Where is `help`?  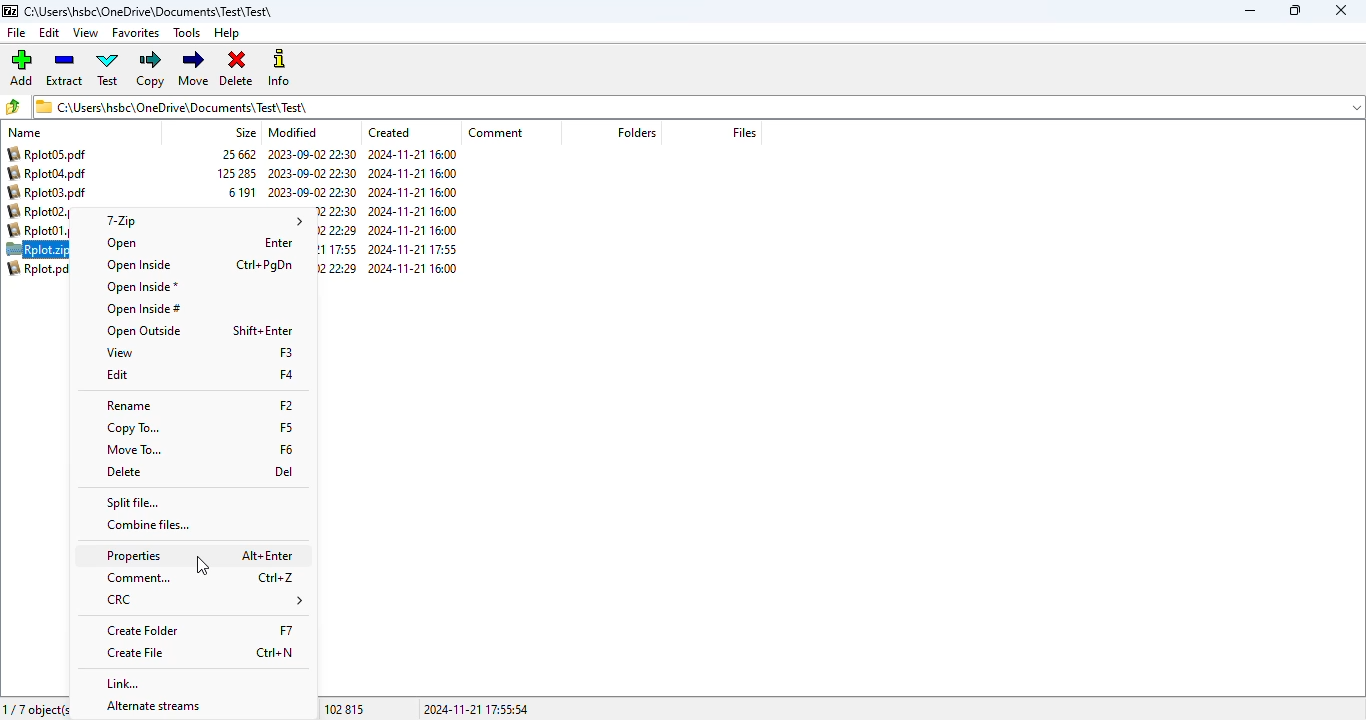 help is located at coordinates (226, 34).